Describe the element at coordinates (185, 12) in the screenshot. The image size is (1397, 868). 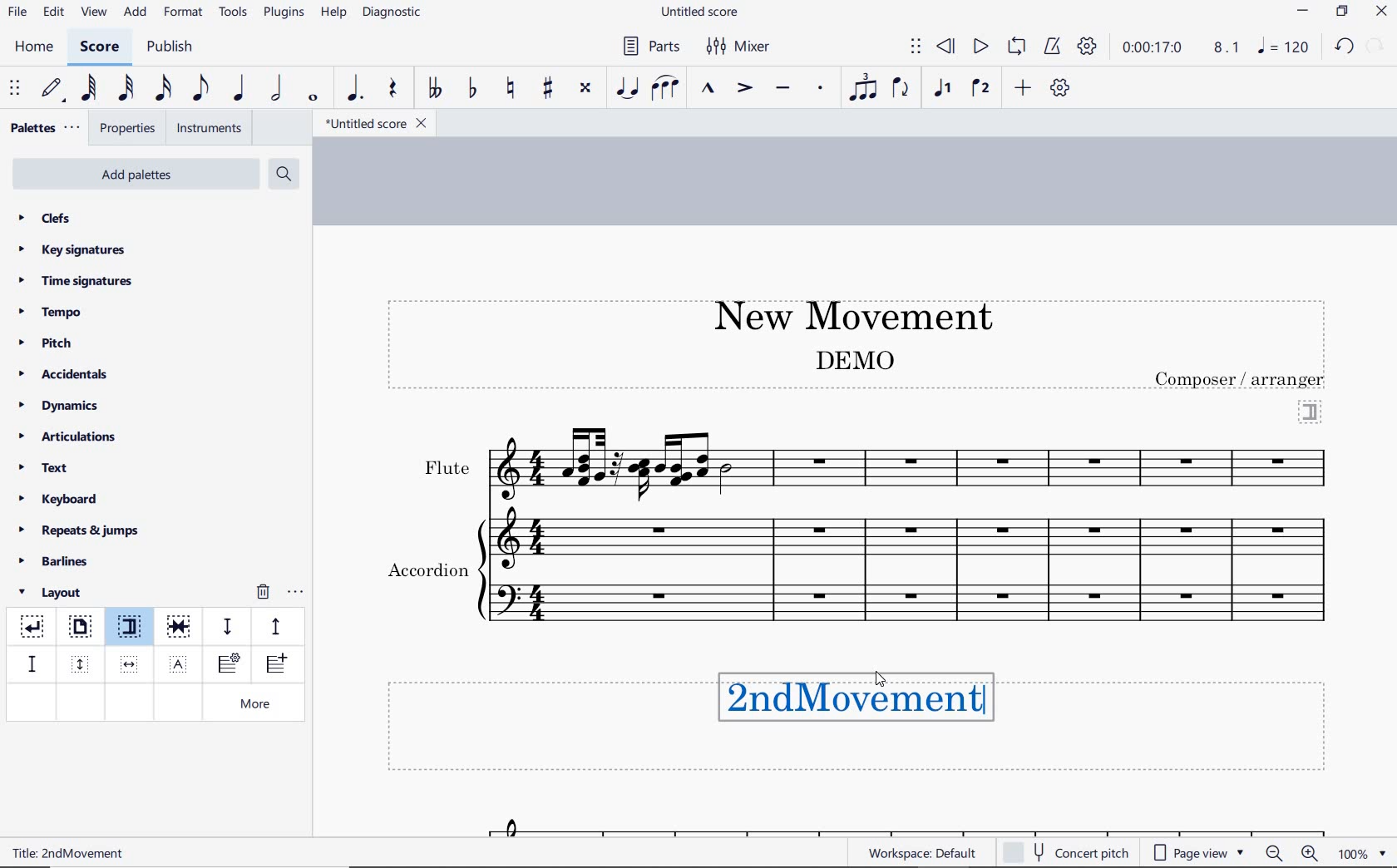
I see `format` at that location.